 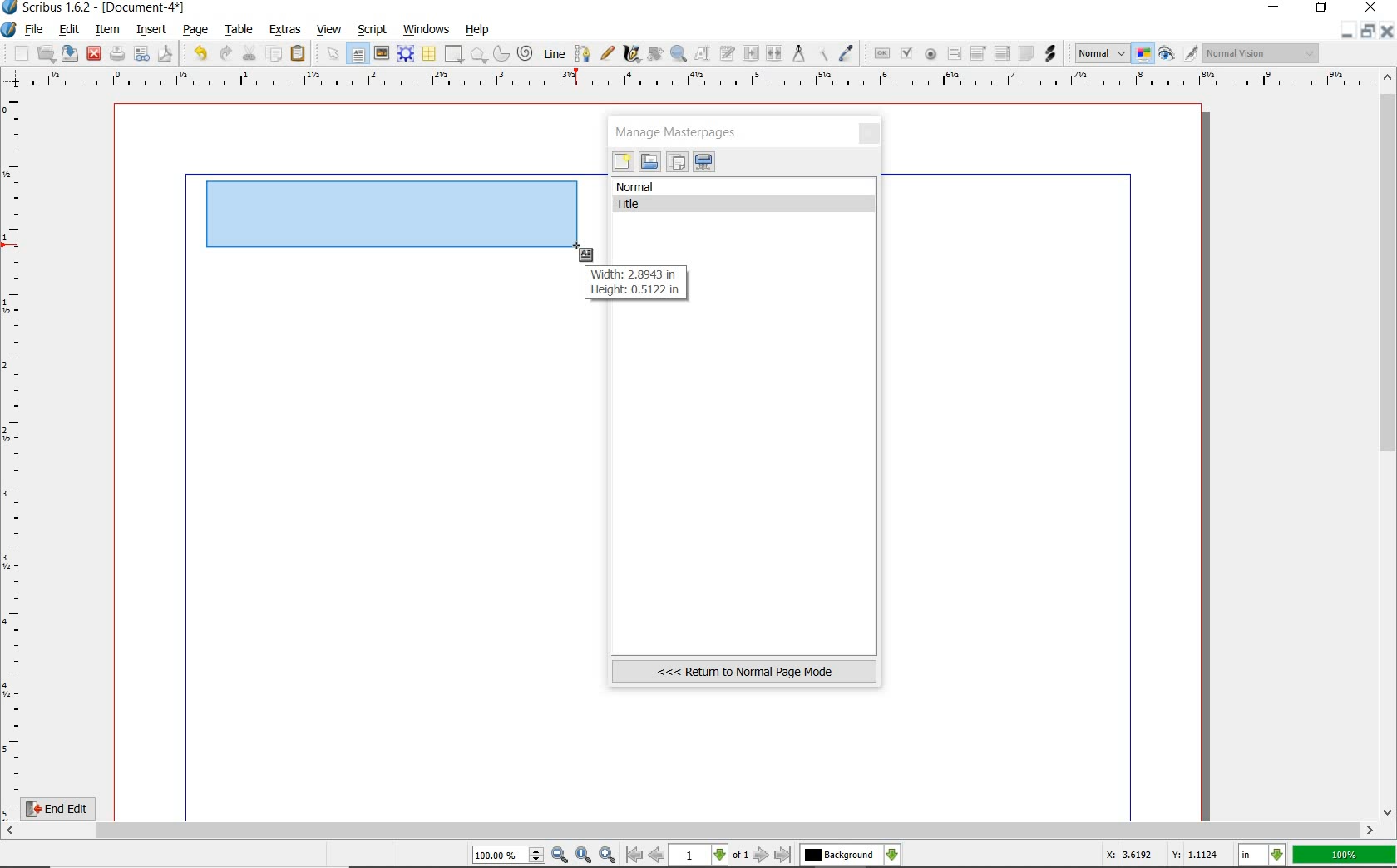 I want to click on save as pdf, so click(x=164, y=53).